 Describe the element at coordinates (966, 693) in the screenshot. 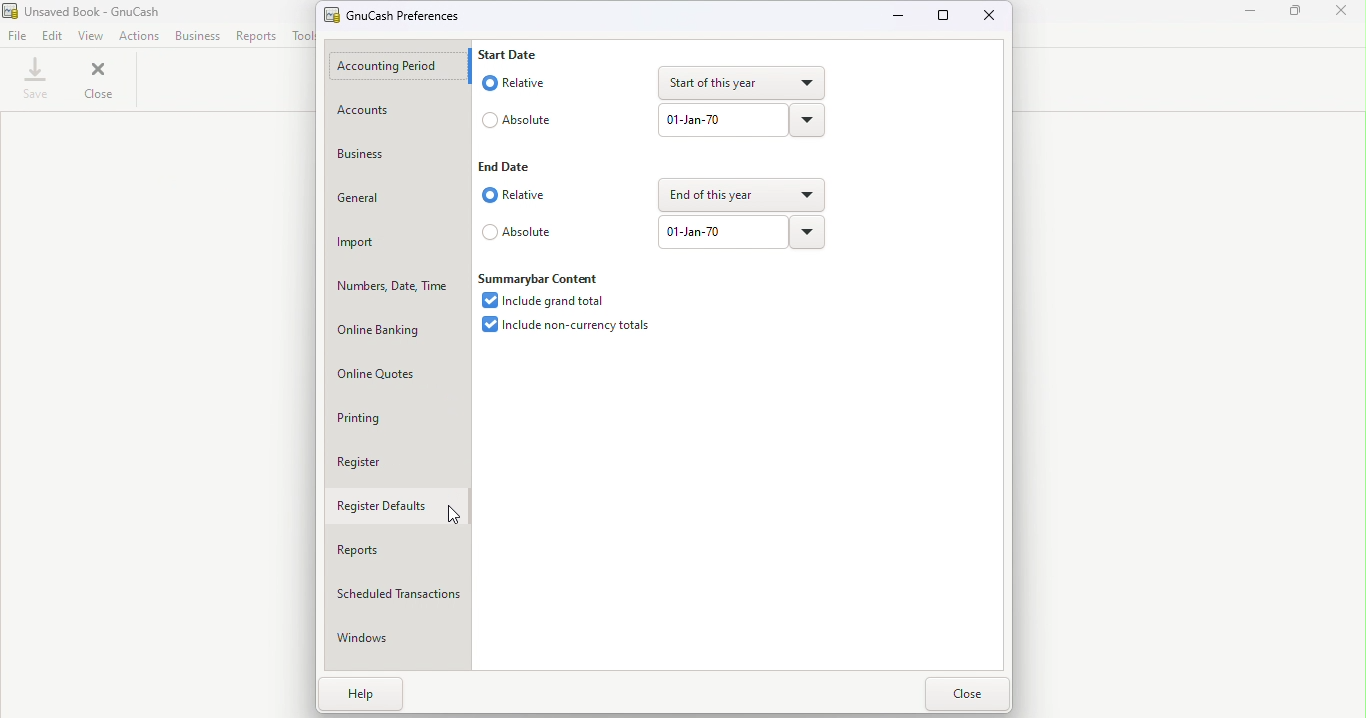

I see `close` at that location.